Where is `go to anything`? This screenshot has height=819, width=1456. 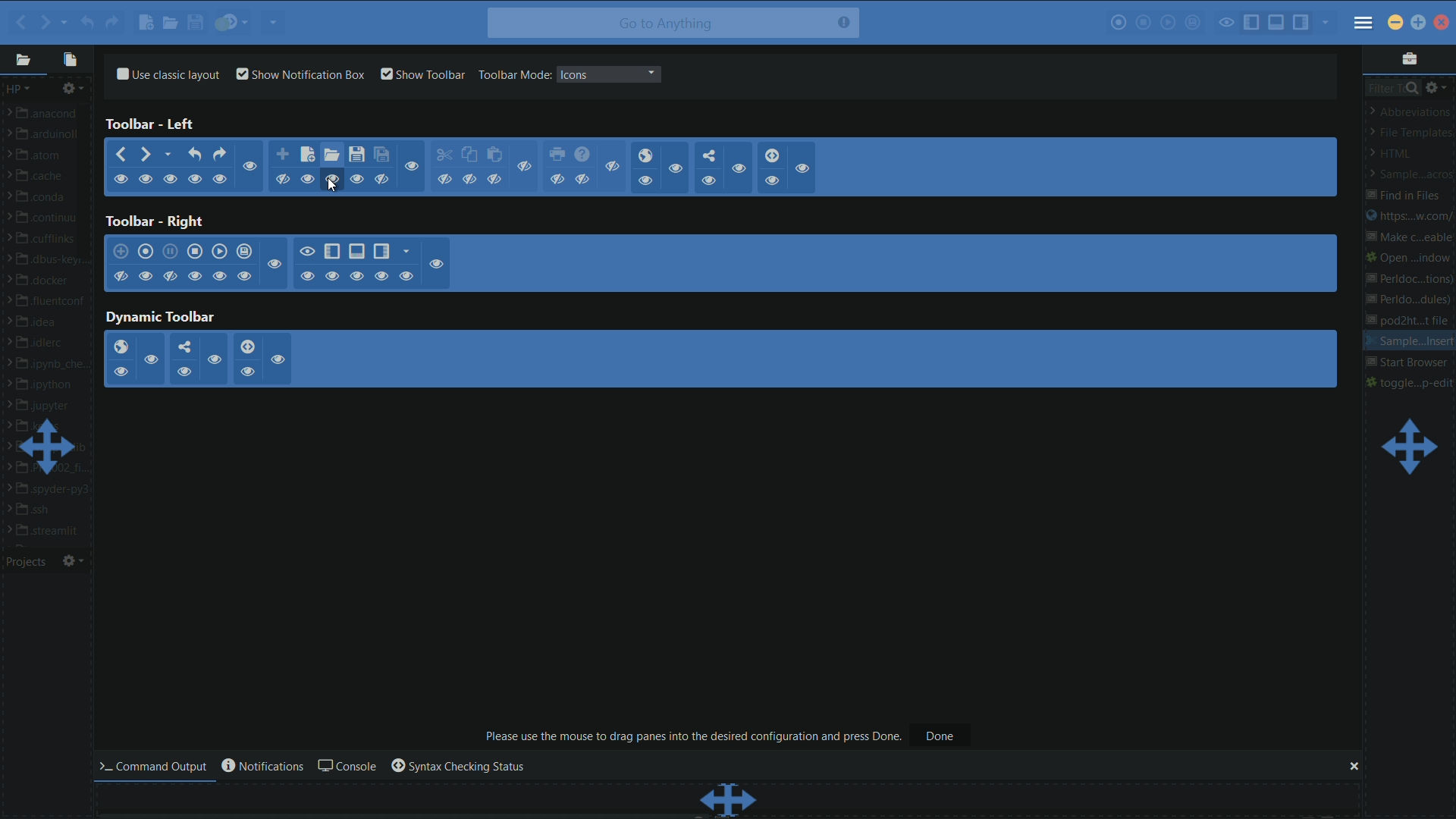 go to anything is located at coordinates (673, 24).